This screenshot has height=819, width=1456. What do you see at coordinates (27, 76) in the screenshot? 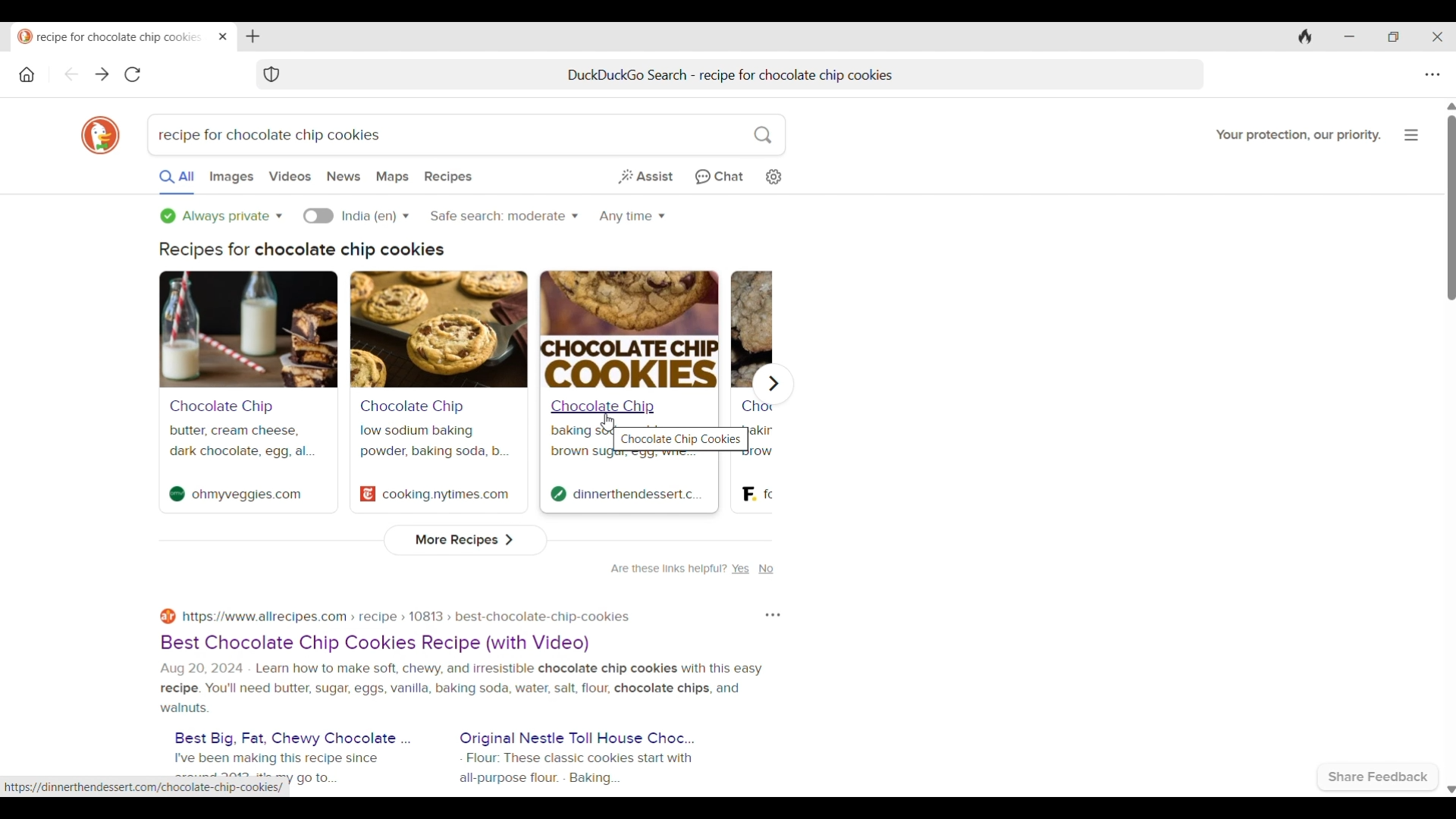
I see `Home` at bounding box center [27, 76].